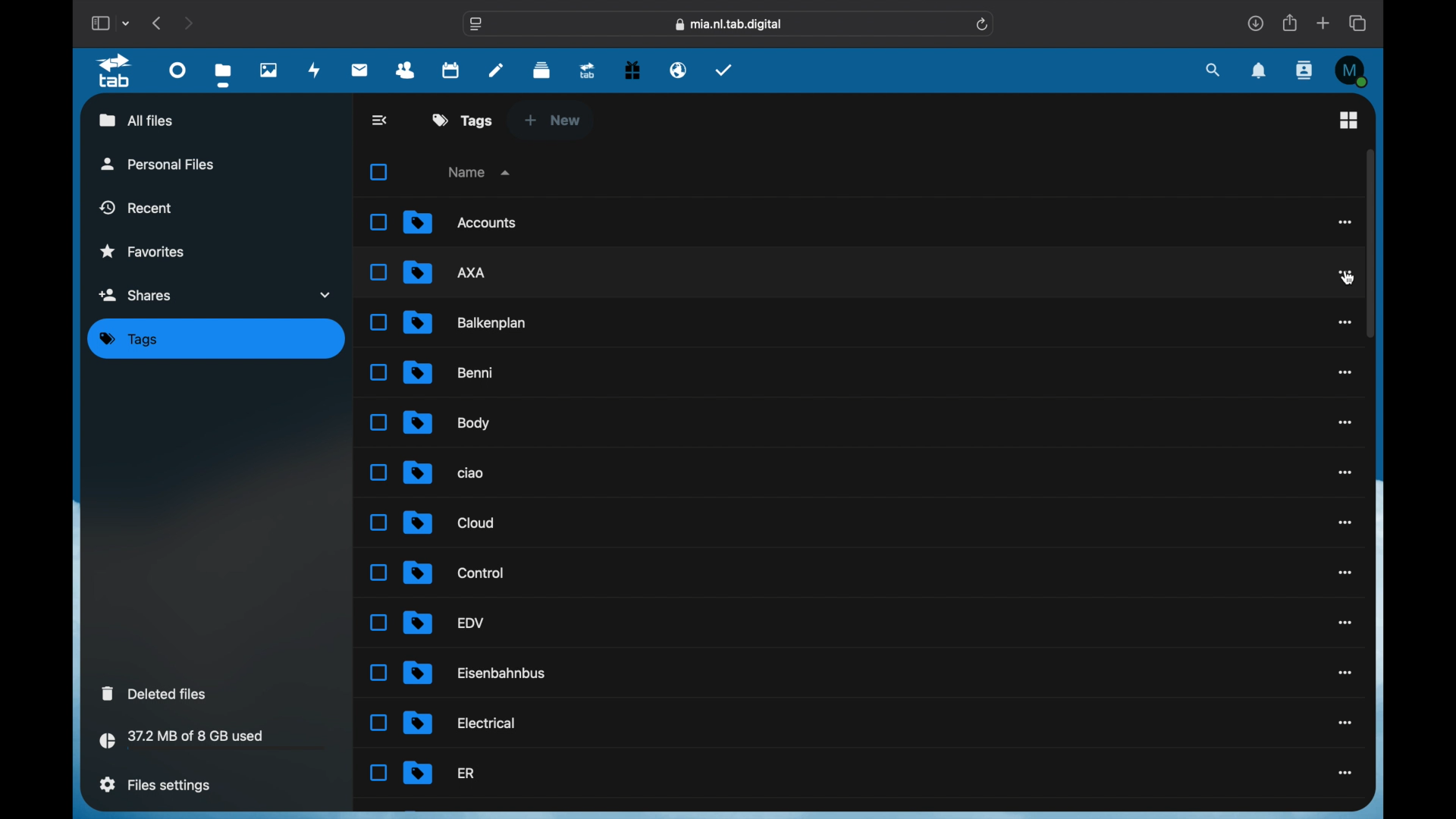  What do you see at coordinates (177, 69) in the screenshot?
I see `dashboard` at bounding box center [177, 69].